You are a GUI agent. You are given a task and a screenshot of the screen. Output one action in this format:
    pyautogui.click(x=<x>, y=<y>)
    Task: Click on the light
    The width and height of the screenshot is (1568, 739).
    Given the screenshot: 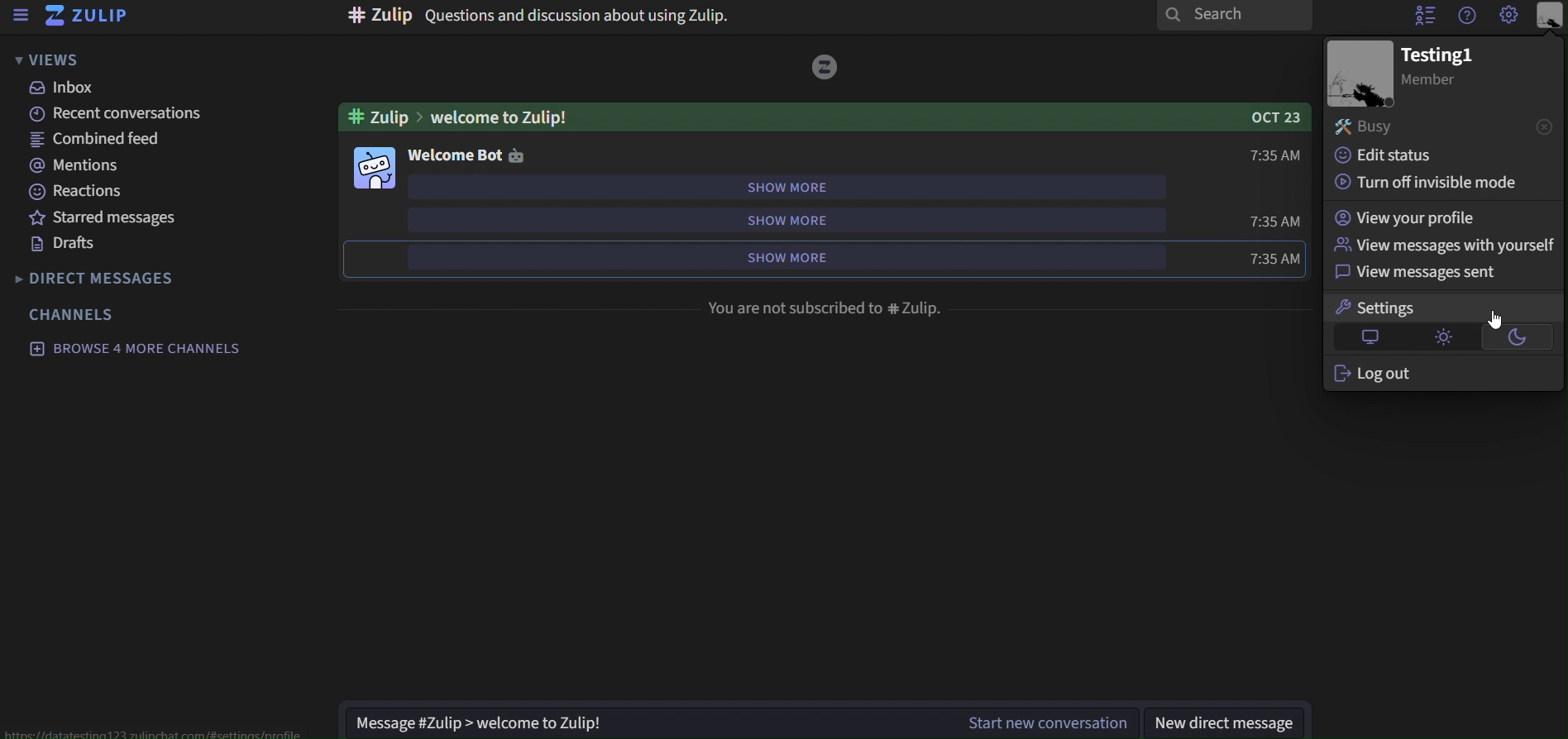 What is the action you would take?
    pyautogui.click(x=1444, y=336)
    